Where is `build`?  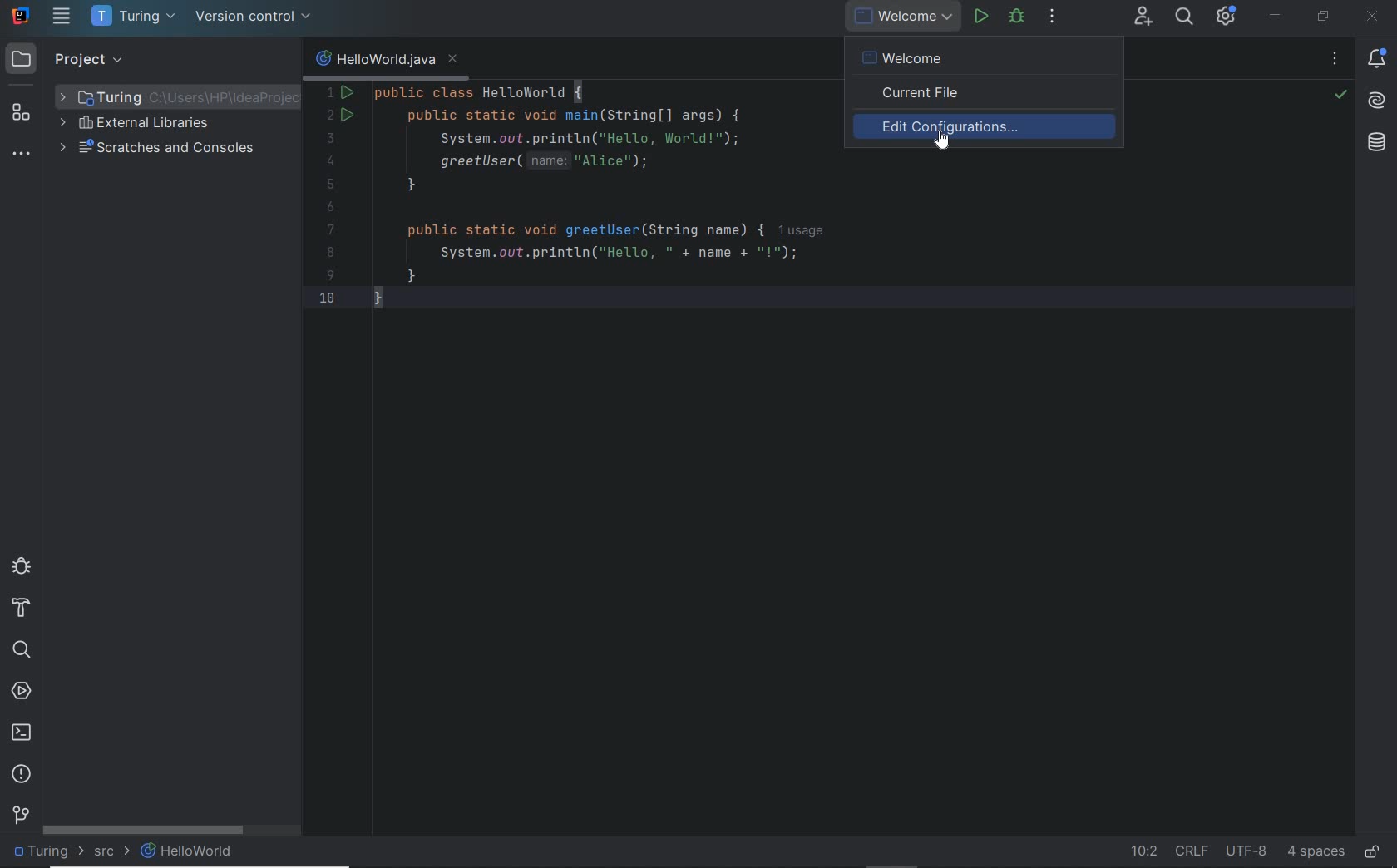
build is located at coordinates (22, 609).